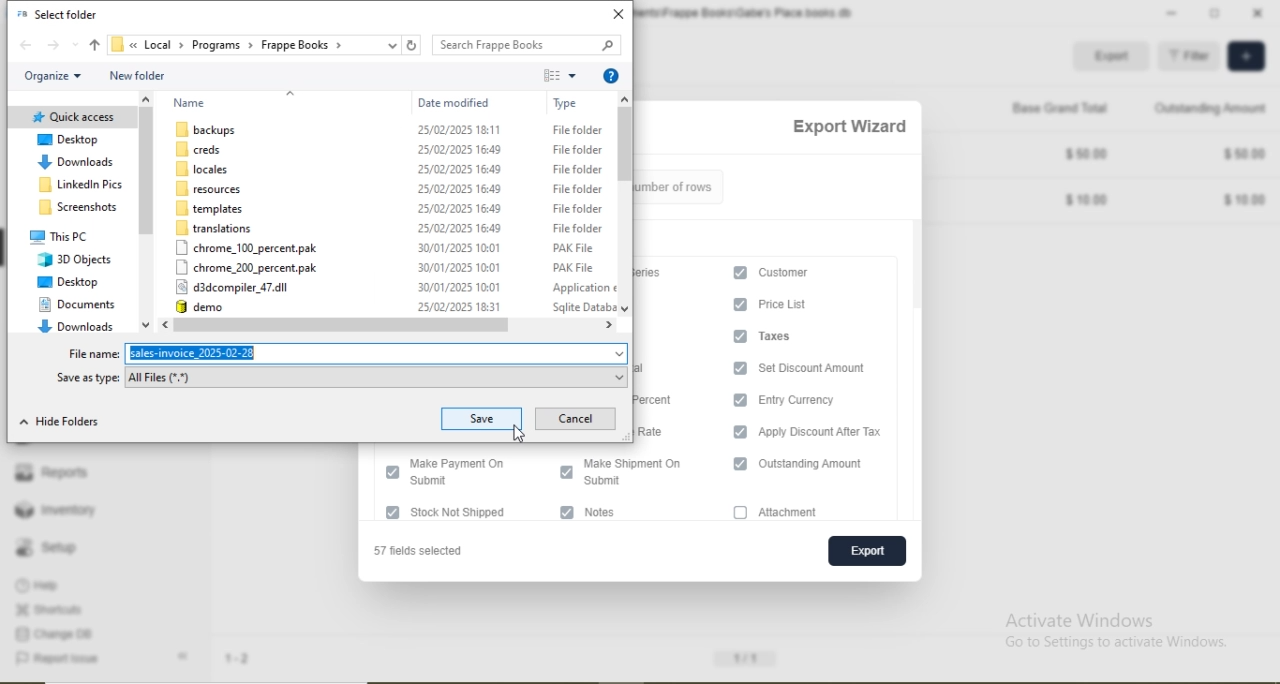 Image resolution: width=1280 pixels, height=684 pixels. Describe the element at coordinates (385, 326) in the screenshot. I see `scroll bar` at that location.